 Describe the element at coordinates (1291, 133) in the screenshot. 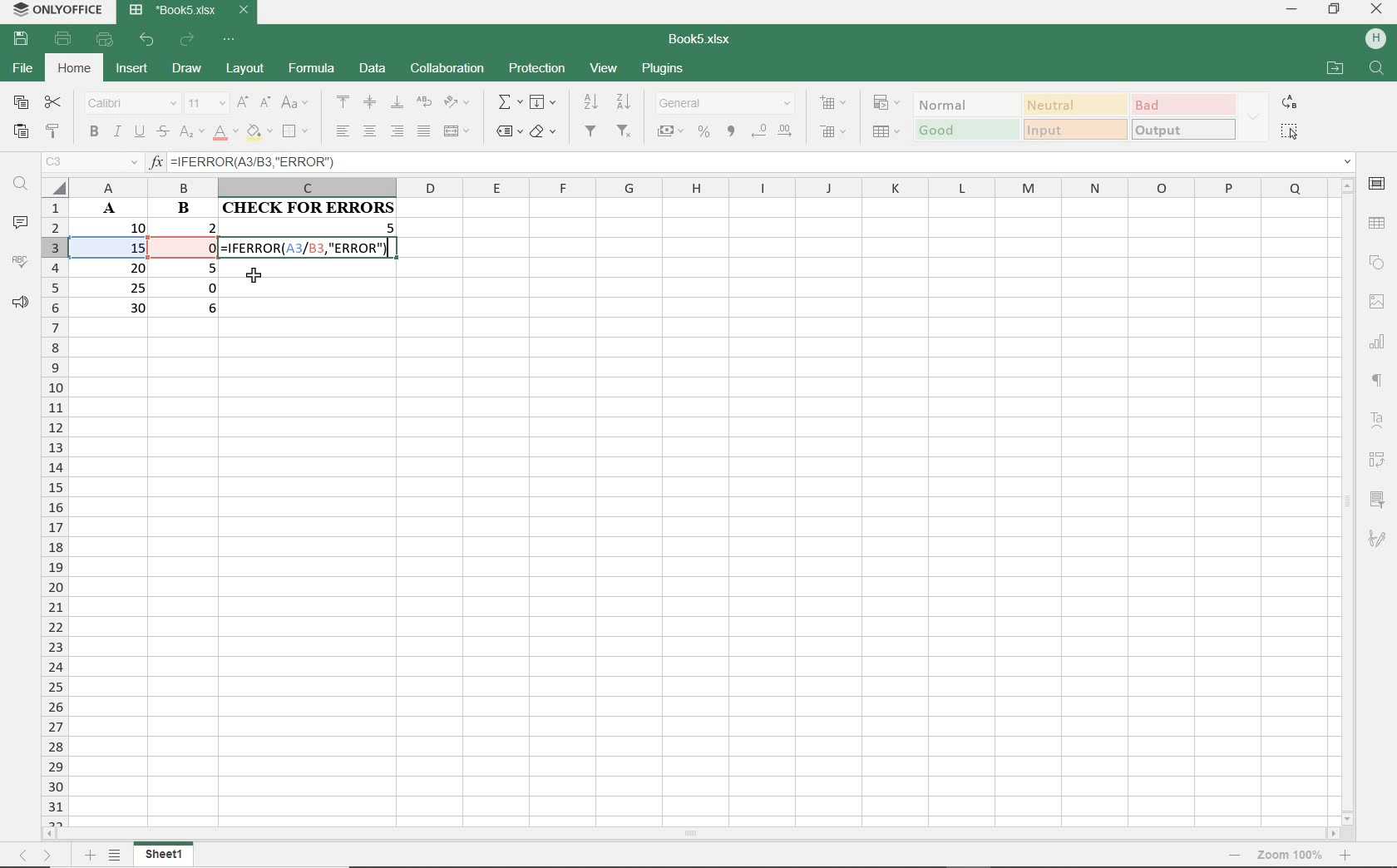

I see `SELECT ALL` at that location.